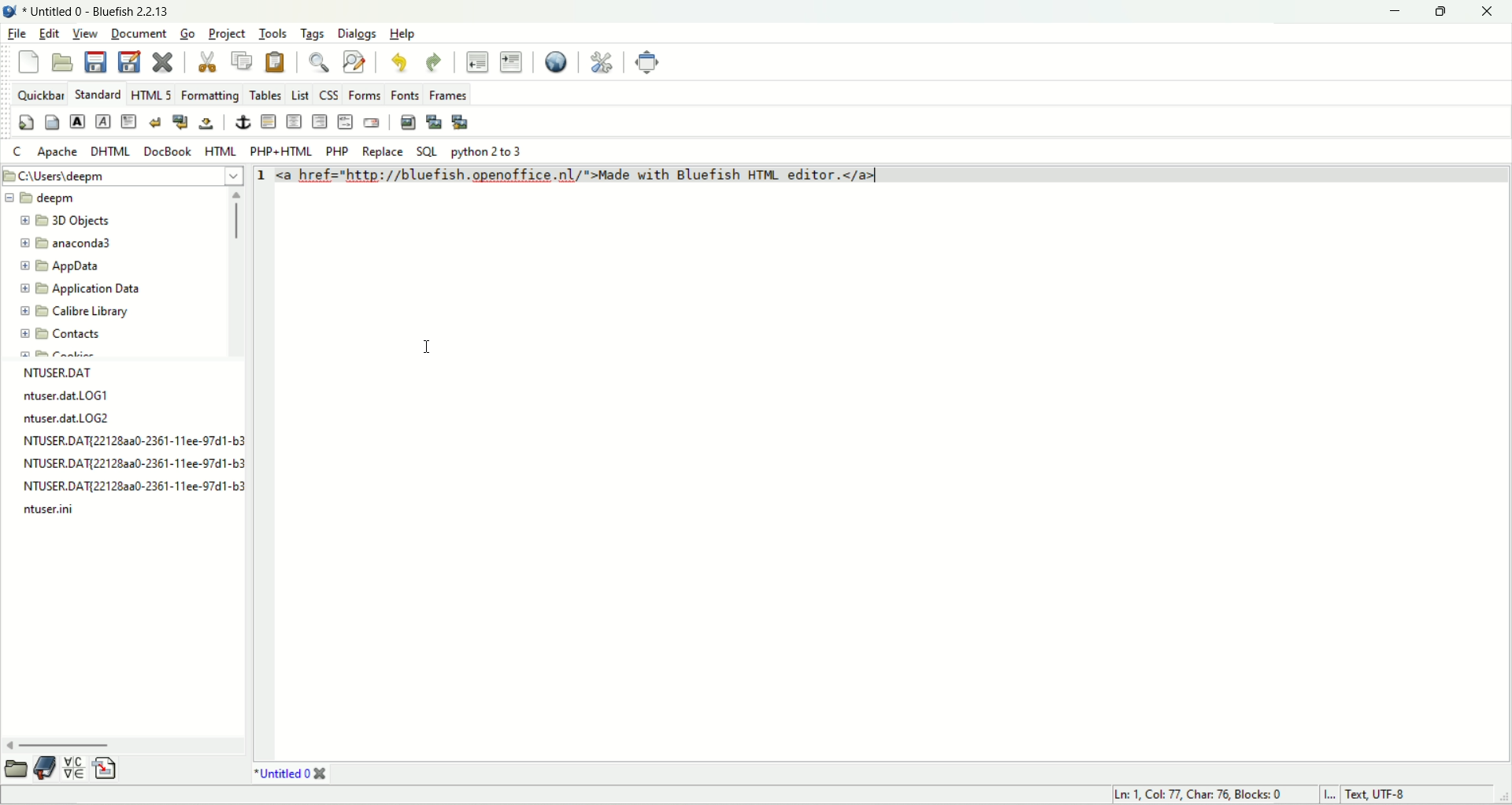 The image size is (1512, 805). What do you see at coordinates (1439, 12) in the screenshot?
I see `maximize` at bounding box center [1439, 12].